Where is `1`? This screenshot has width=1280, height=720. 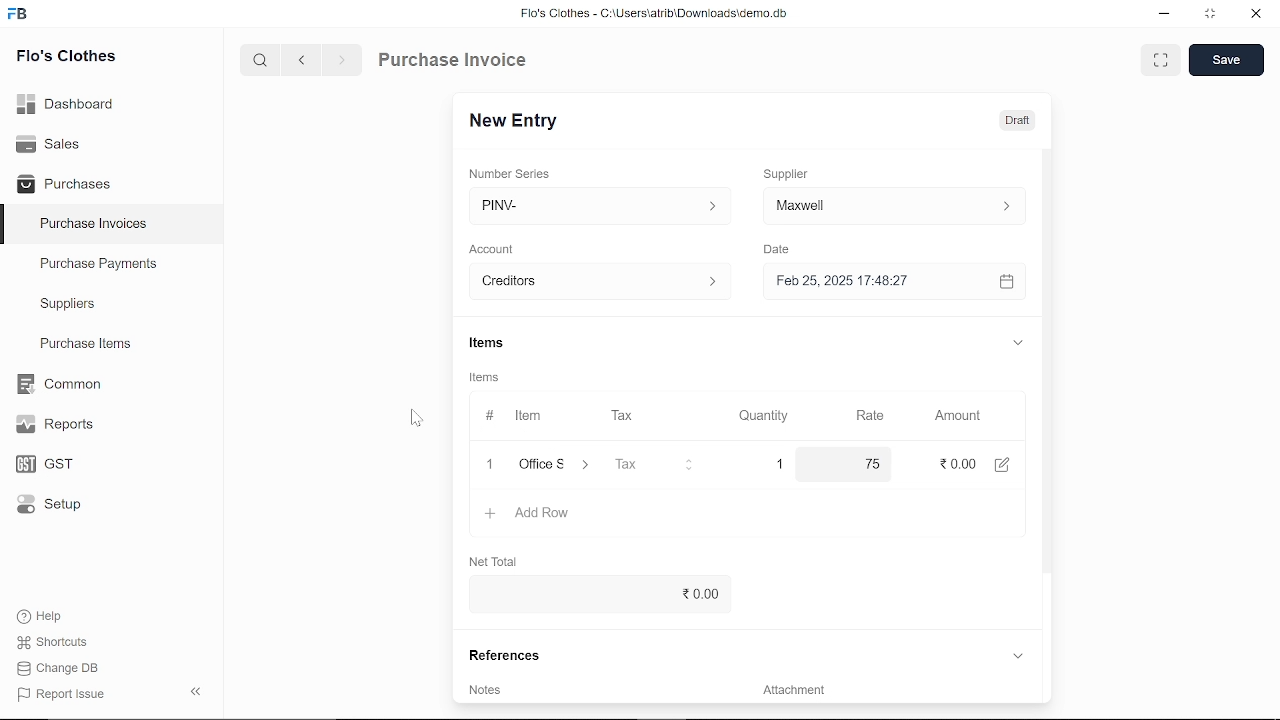
1 is located at coordinates (779, 463).